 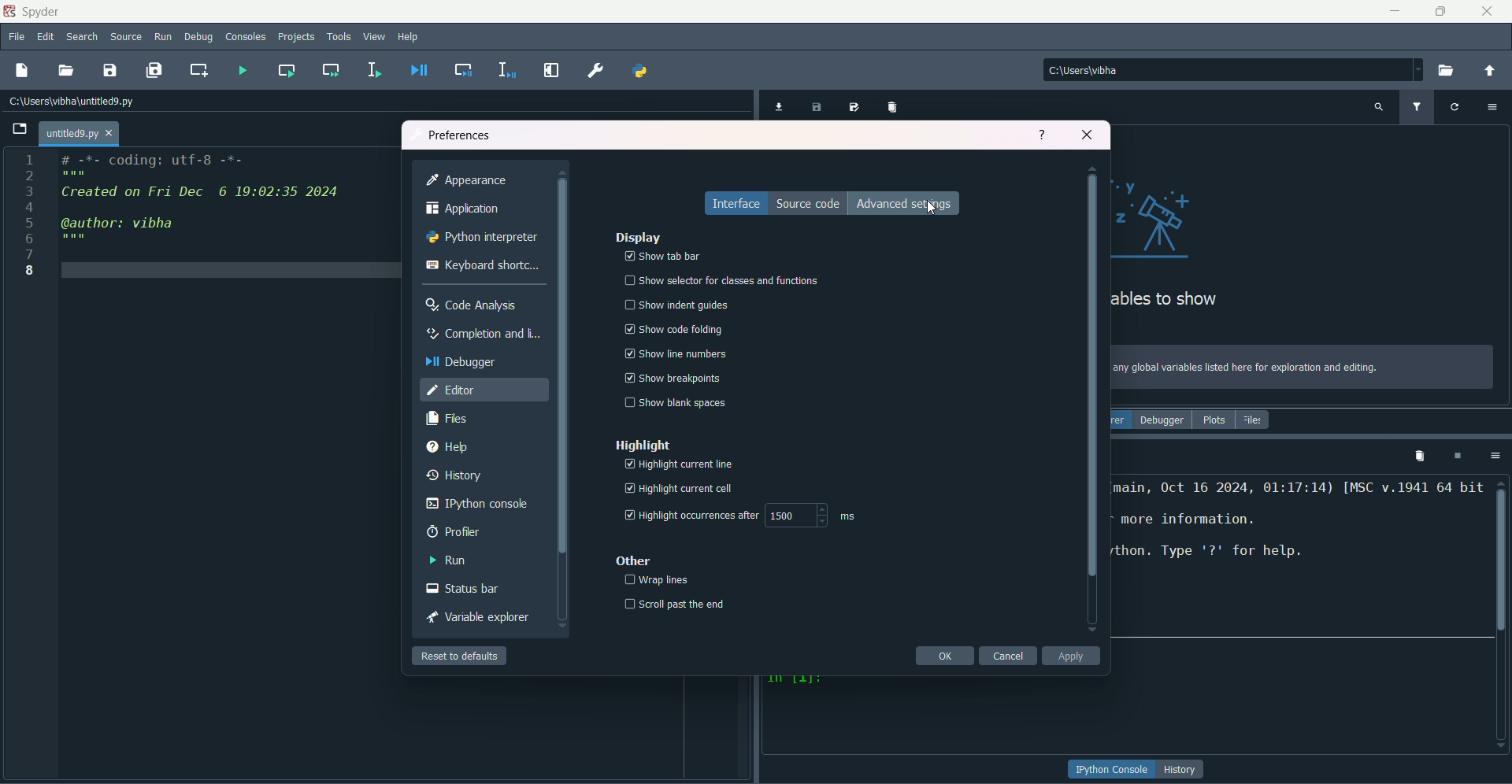 I want to click on scrollbar, so click(x=1092, y=376).